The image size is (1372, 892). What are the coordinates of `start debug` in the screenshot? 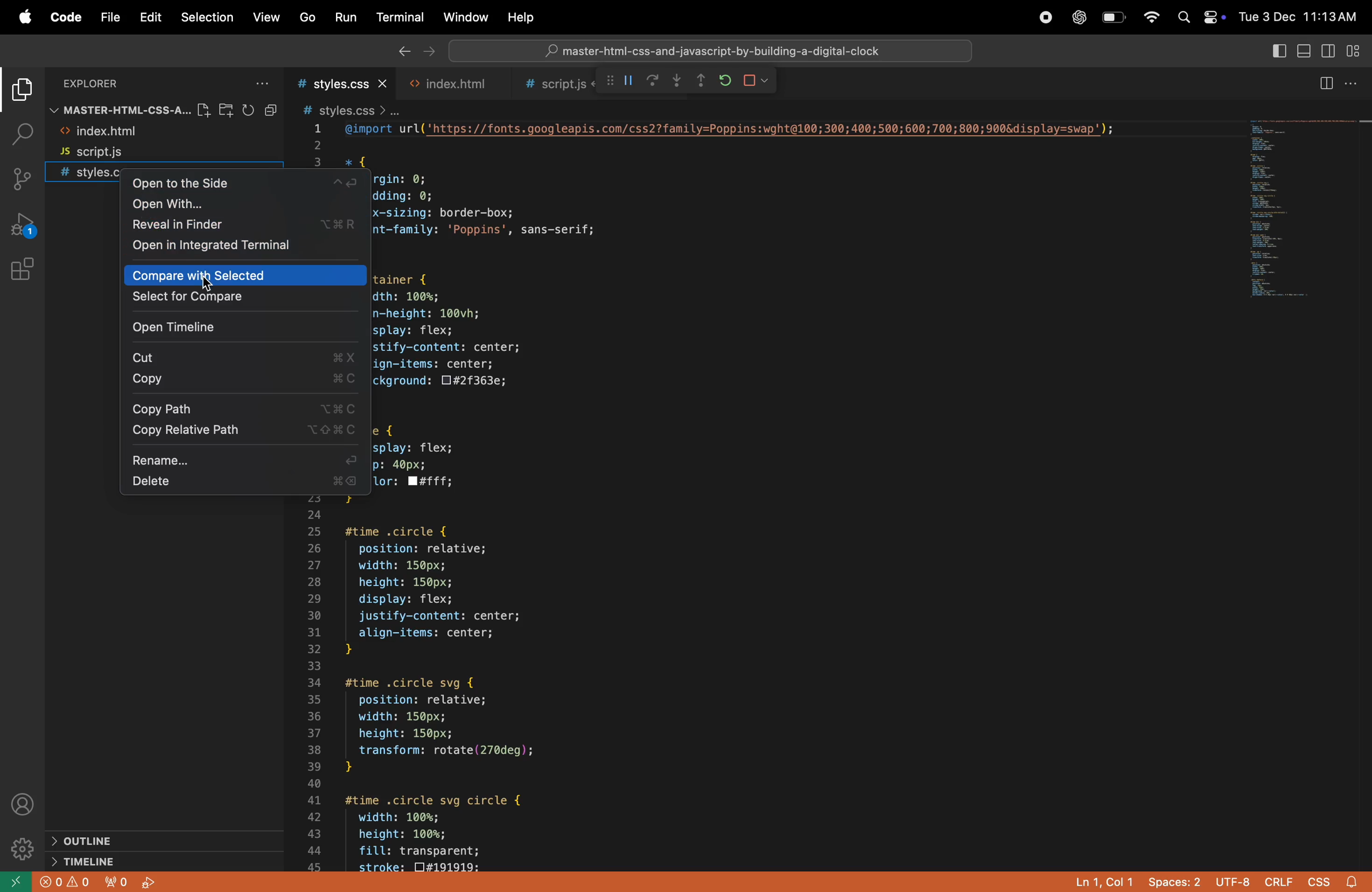 It's located at (150, 882).